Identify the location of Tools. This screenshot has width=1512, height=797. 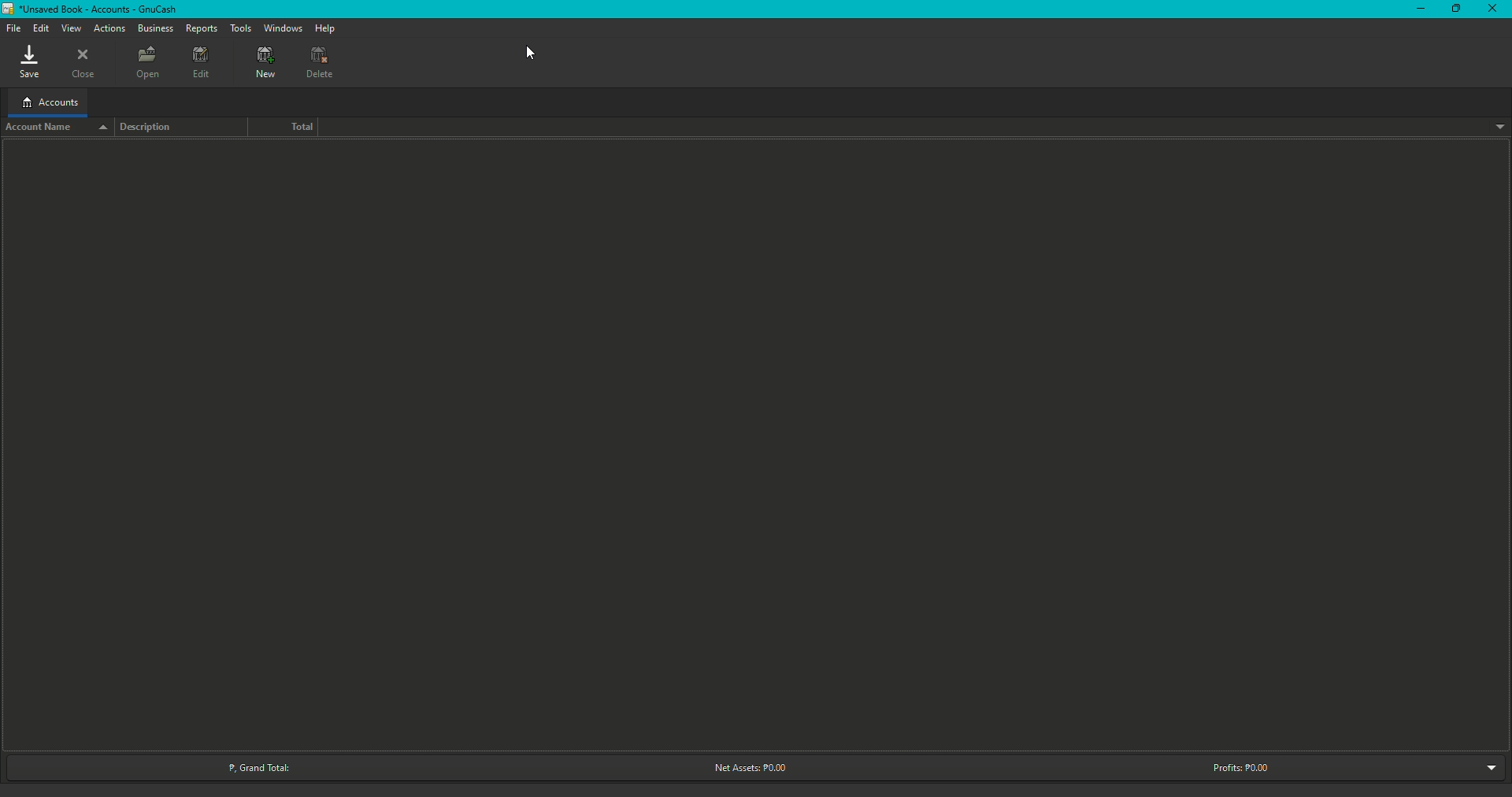
(241, 26).